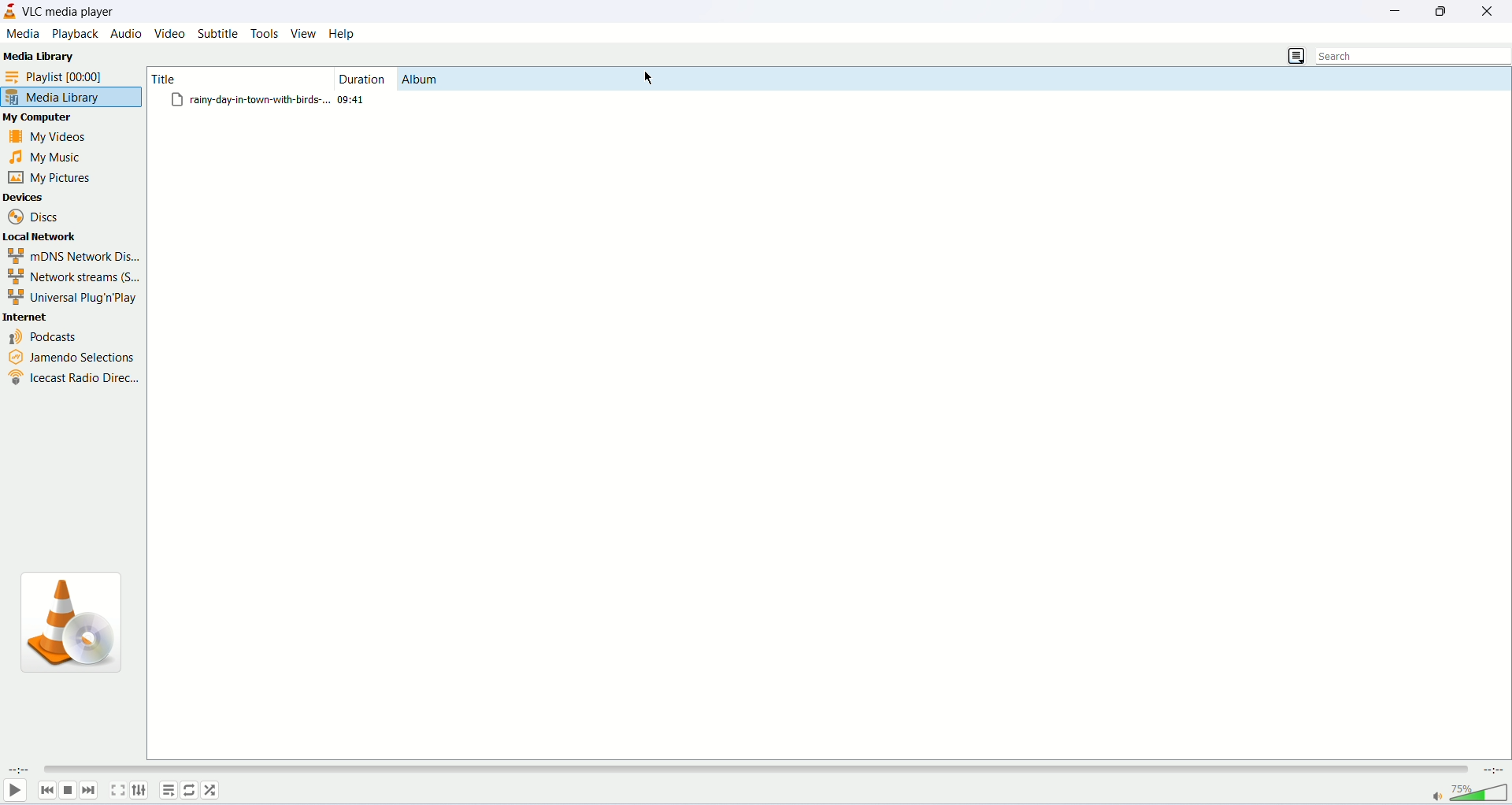 The height and width of the screenshot is (805, 1512). I want to click on fullscreen, so click(116, 790).